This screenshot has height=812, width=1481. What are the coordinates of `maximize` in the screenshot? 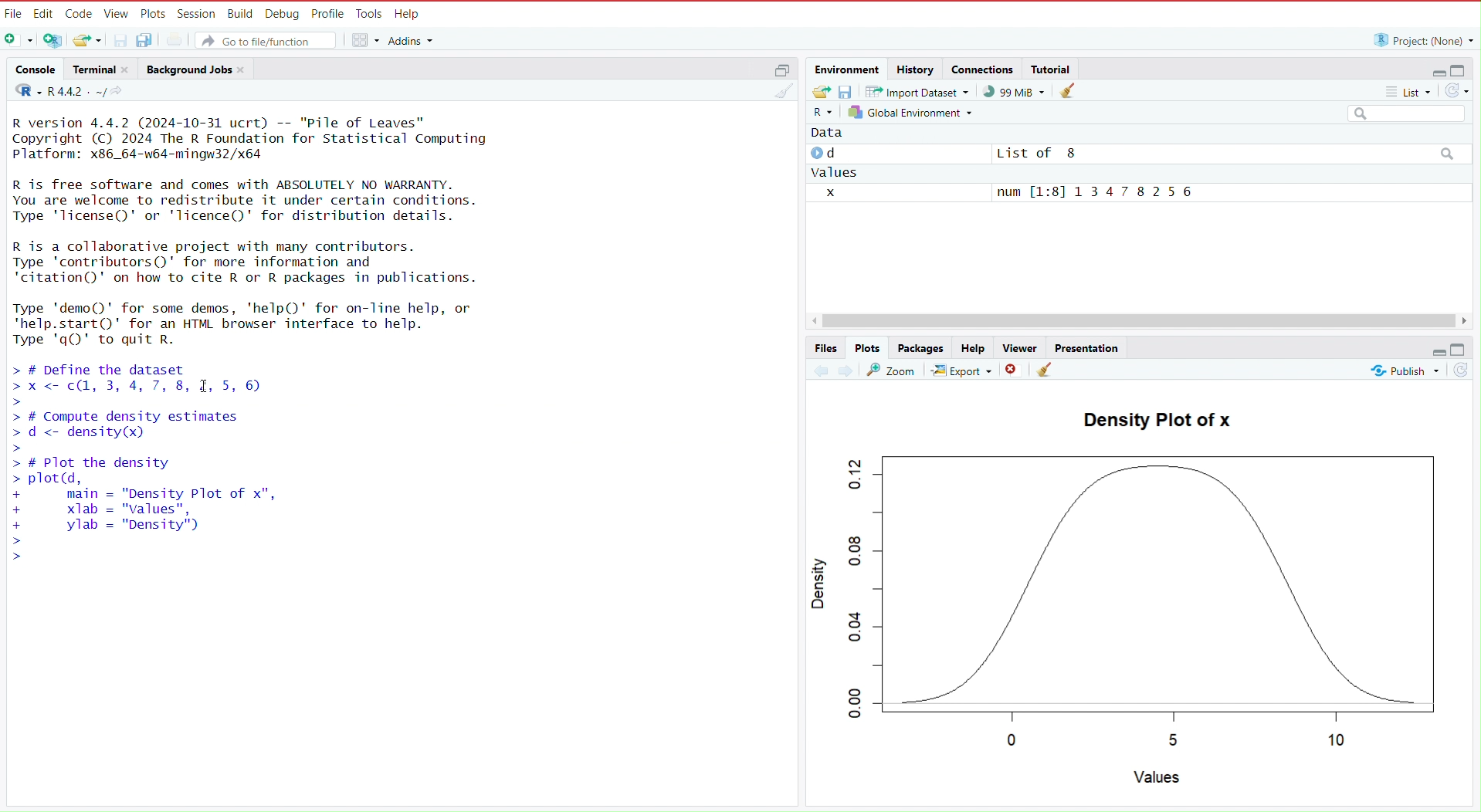 It's located at (1464, 68).